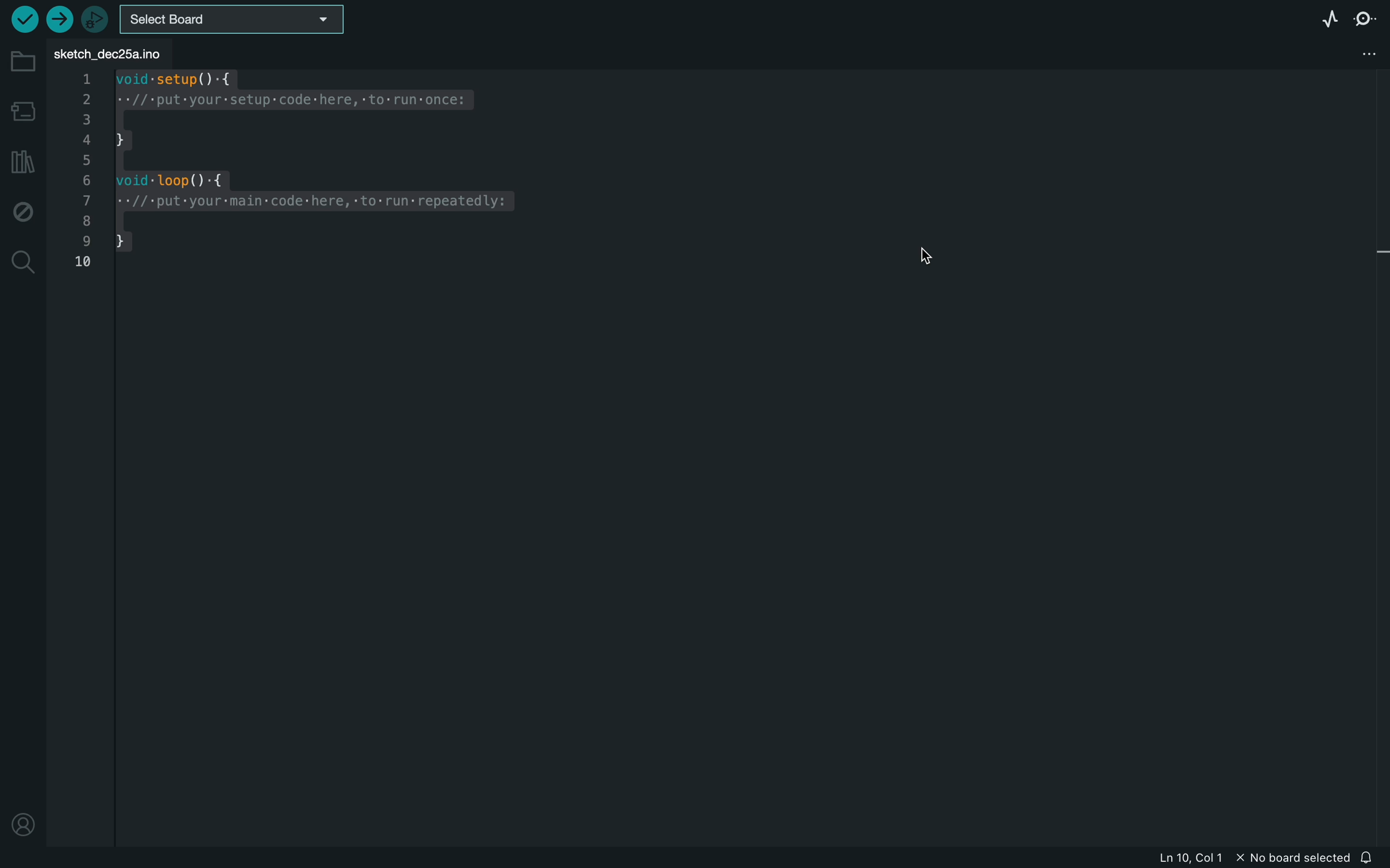 This screenshot has height=868, width=1390. Describe the element at coordinates (1367, 19) in the screenshot. I see `serial monitor` at that location.